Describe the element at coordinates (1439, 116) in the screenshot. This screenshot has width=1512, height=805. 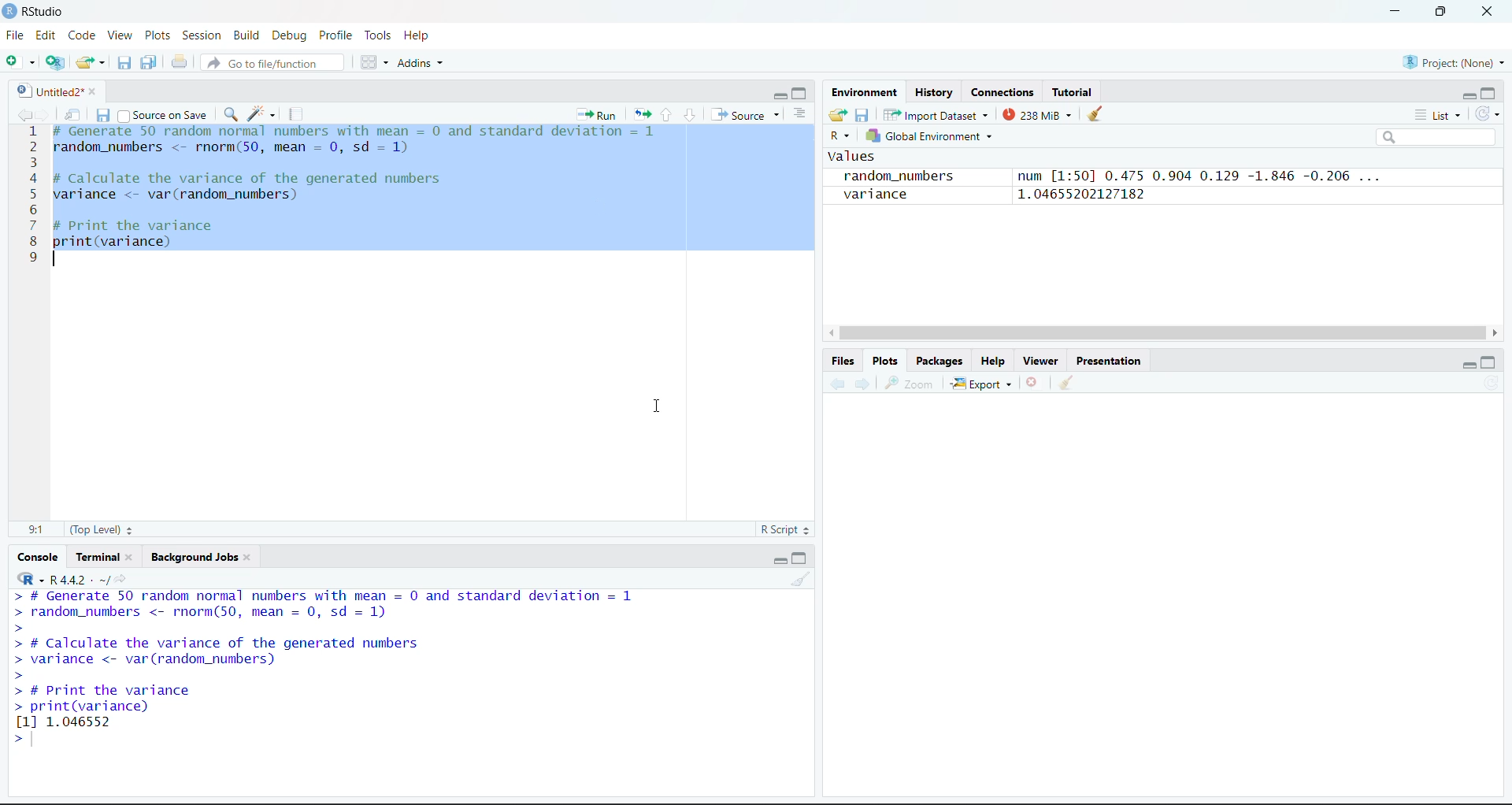
I see `List` at that location.